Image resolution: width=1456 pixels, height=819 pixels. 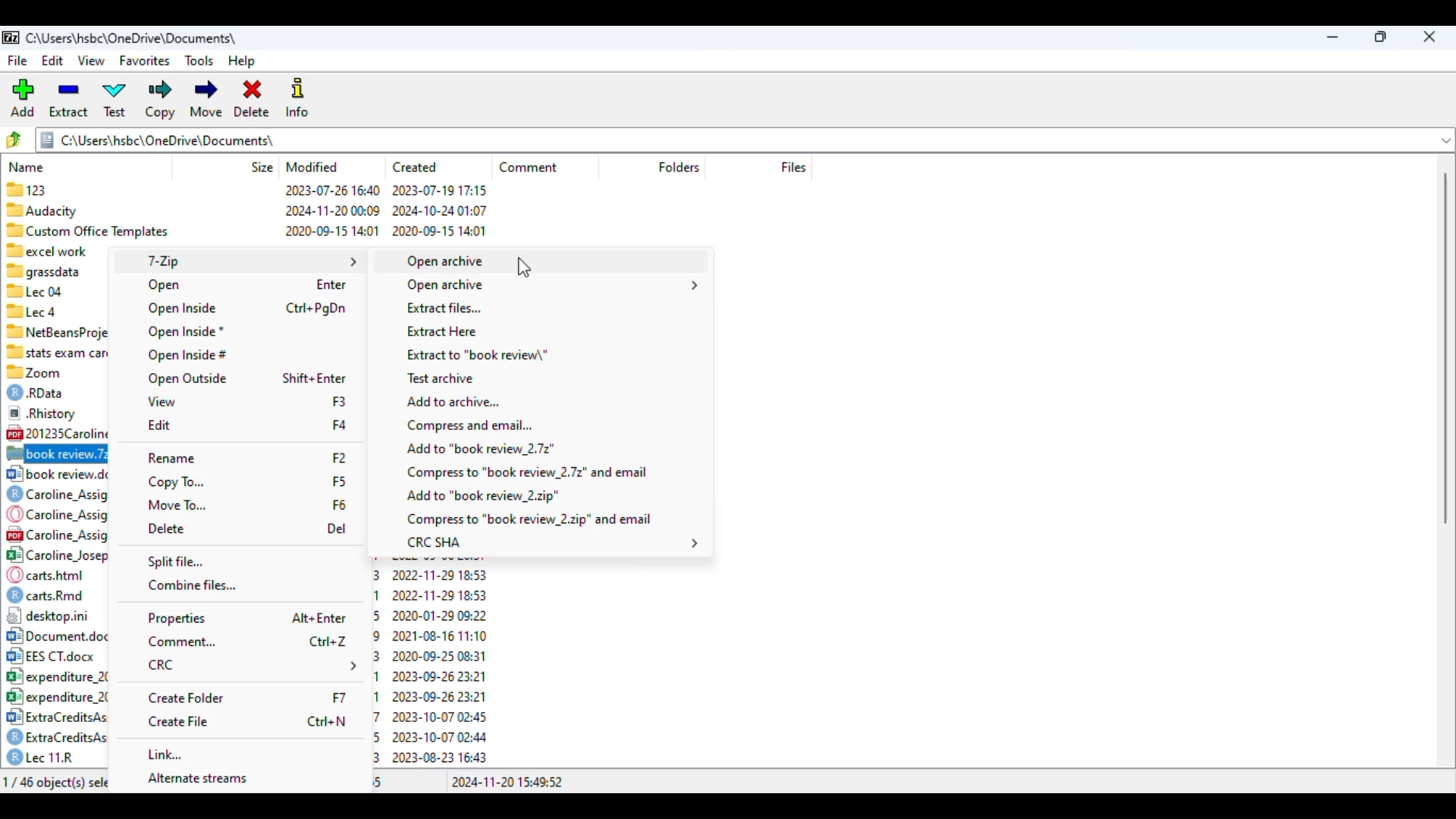 I want to click on add to .7z file, so click(x=482, y=449).